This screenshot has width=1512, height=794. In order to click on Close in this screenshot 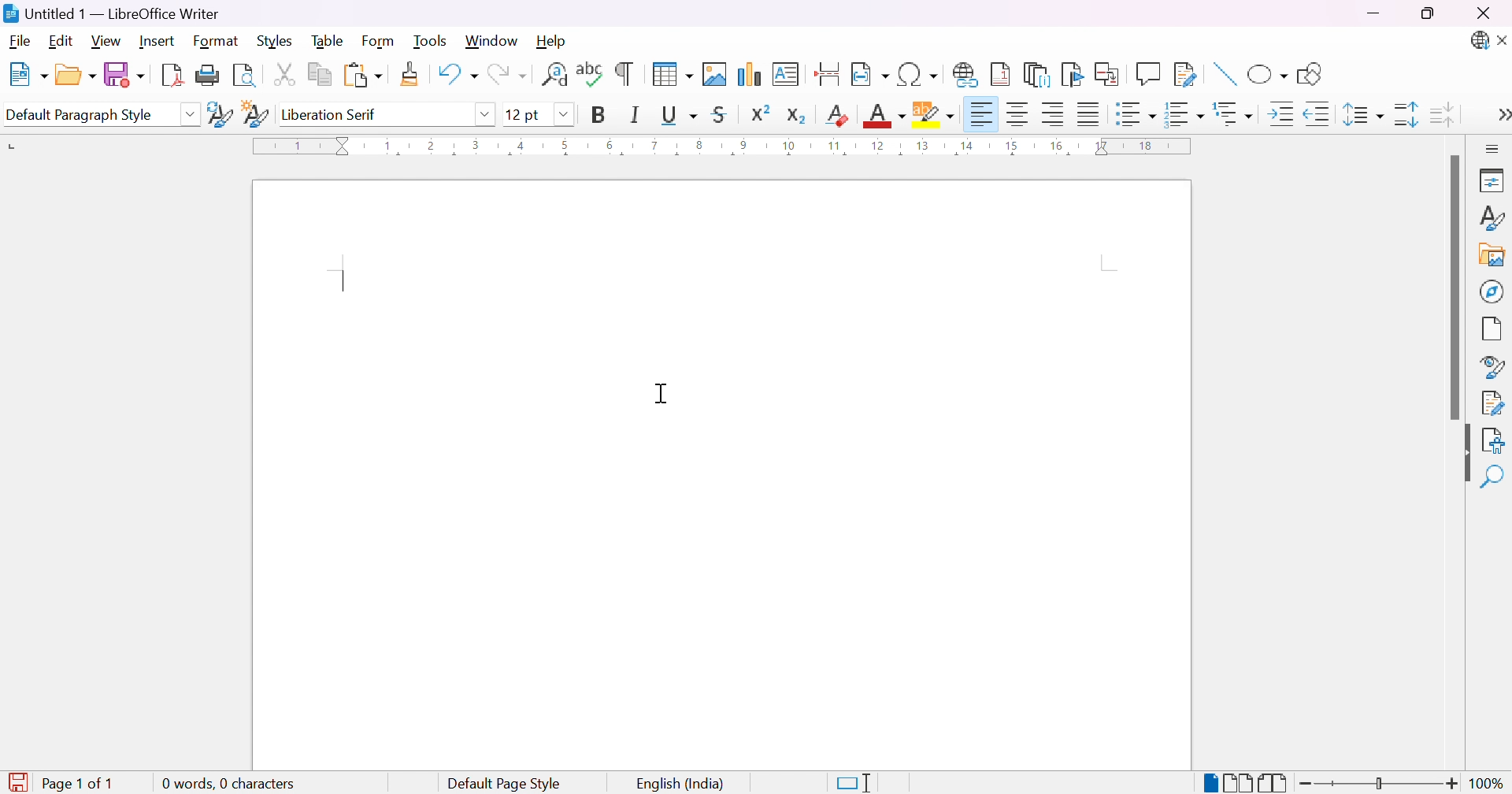, I will do `click(1483, 14)`.